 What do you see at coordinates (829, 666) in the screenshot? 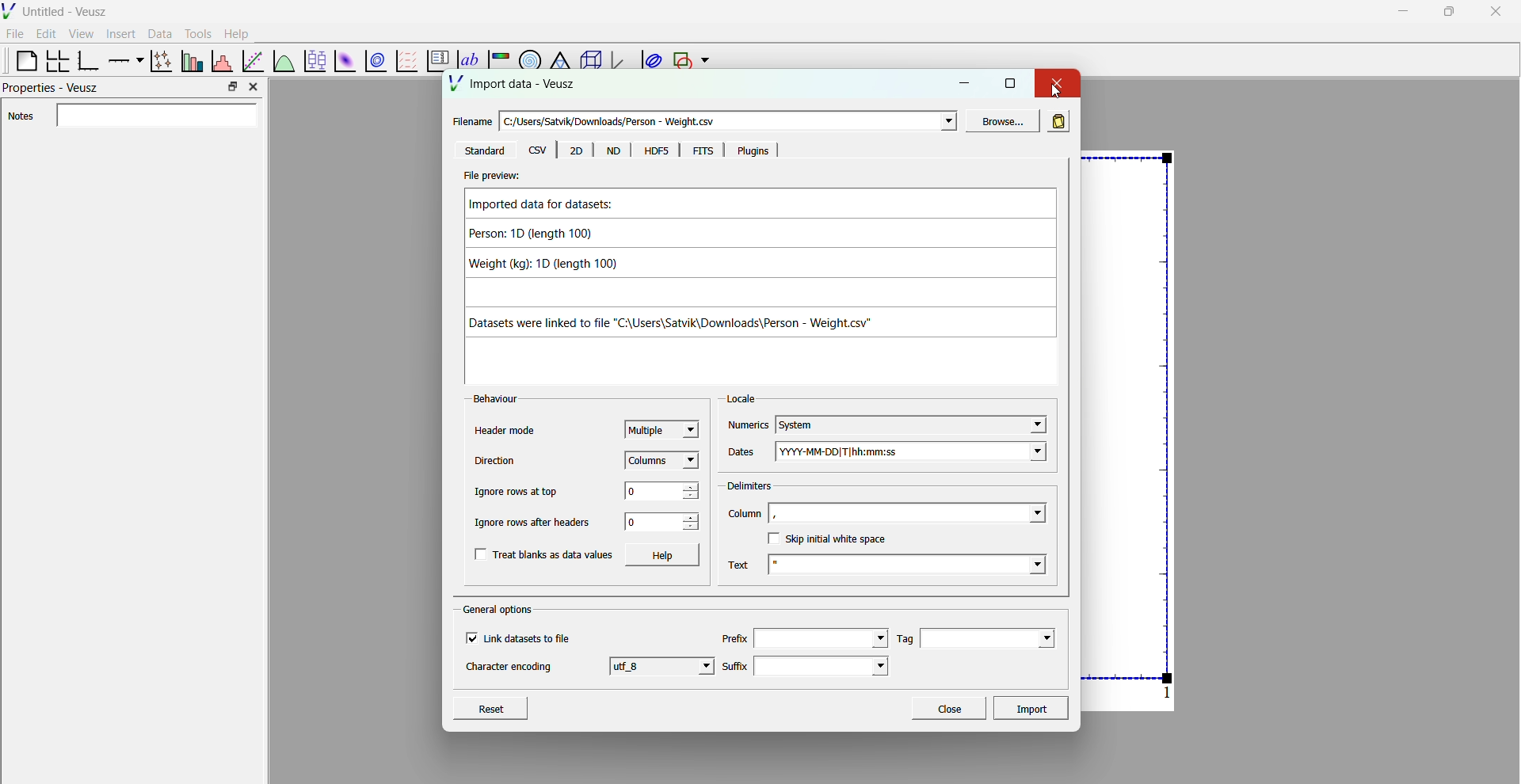
I see `suffix dropdown` at bounding box center [829, 666].